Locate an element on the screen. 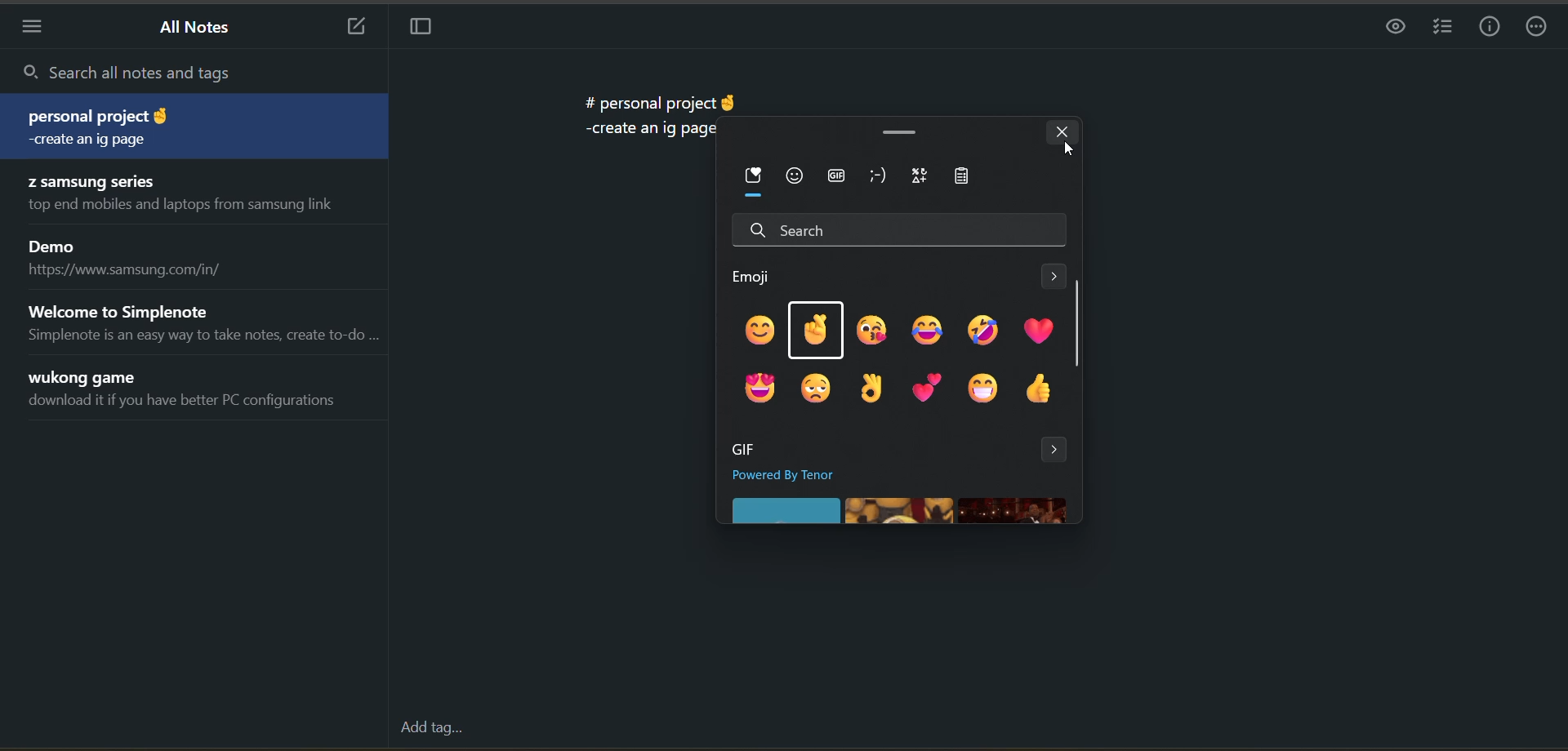 Image resolution: width=1568 pixels, height=751 pixels. emoji added is located at coordinates (731, 105).